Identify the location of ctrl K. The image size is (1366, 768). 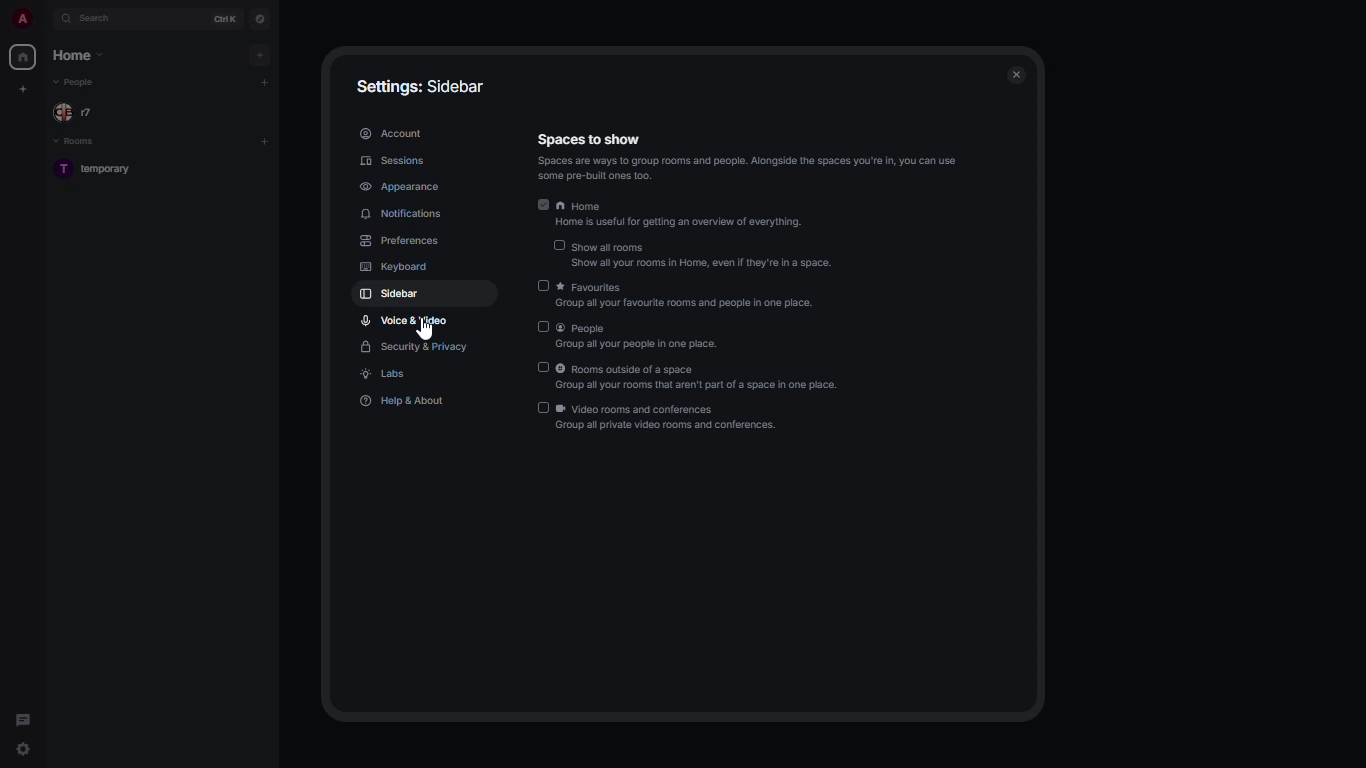
(226, 18).